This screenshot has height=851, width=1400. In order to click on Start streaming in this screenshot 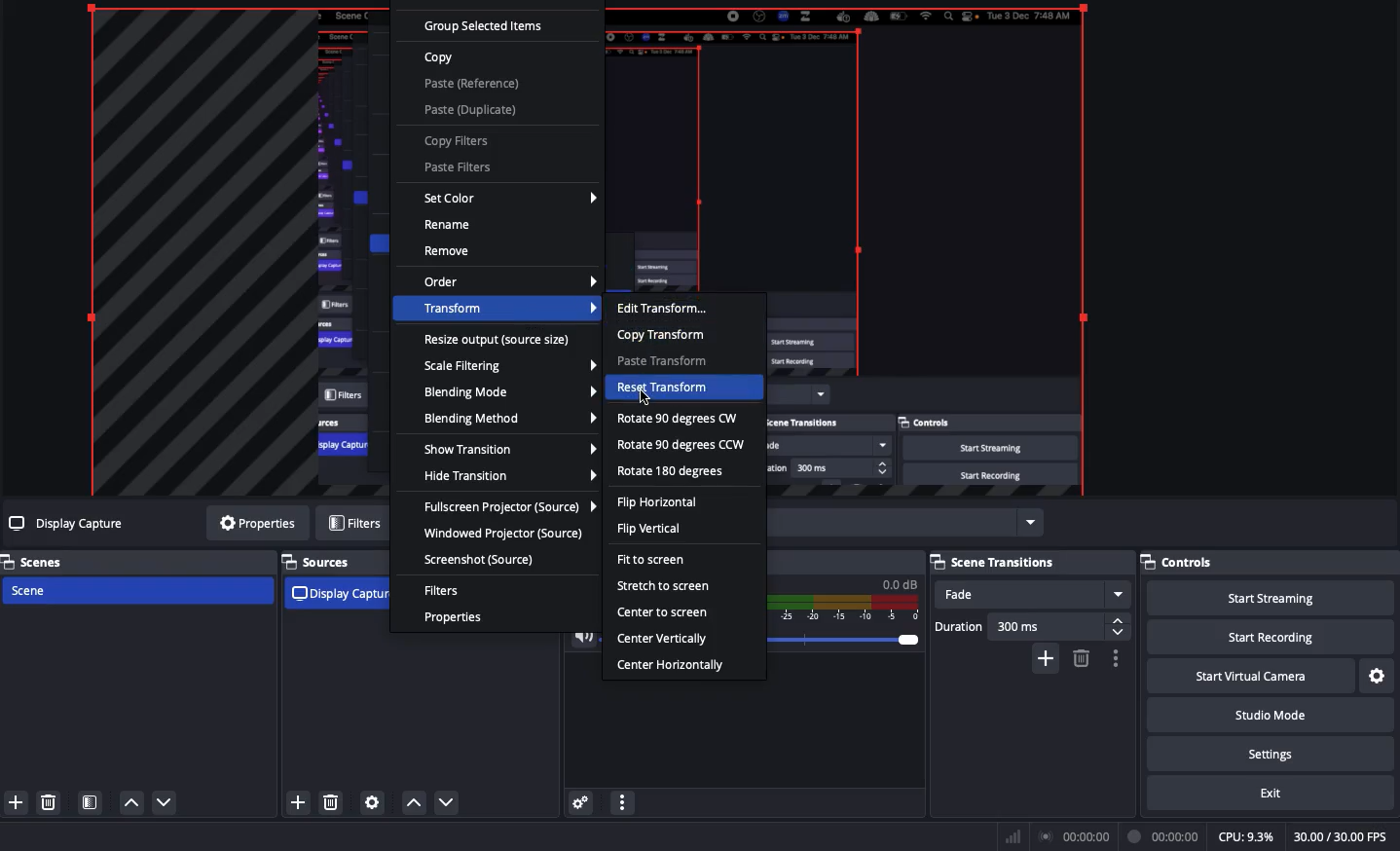, I will do `click(1272, 599)`.